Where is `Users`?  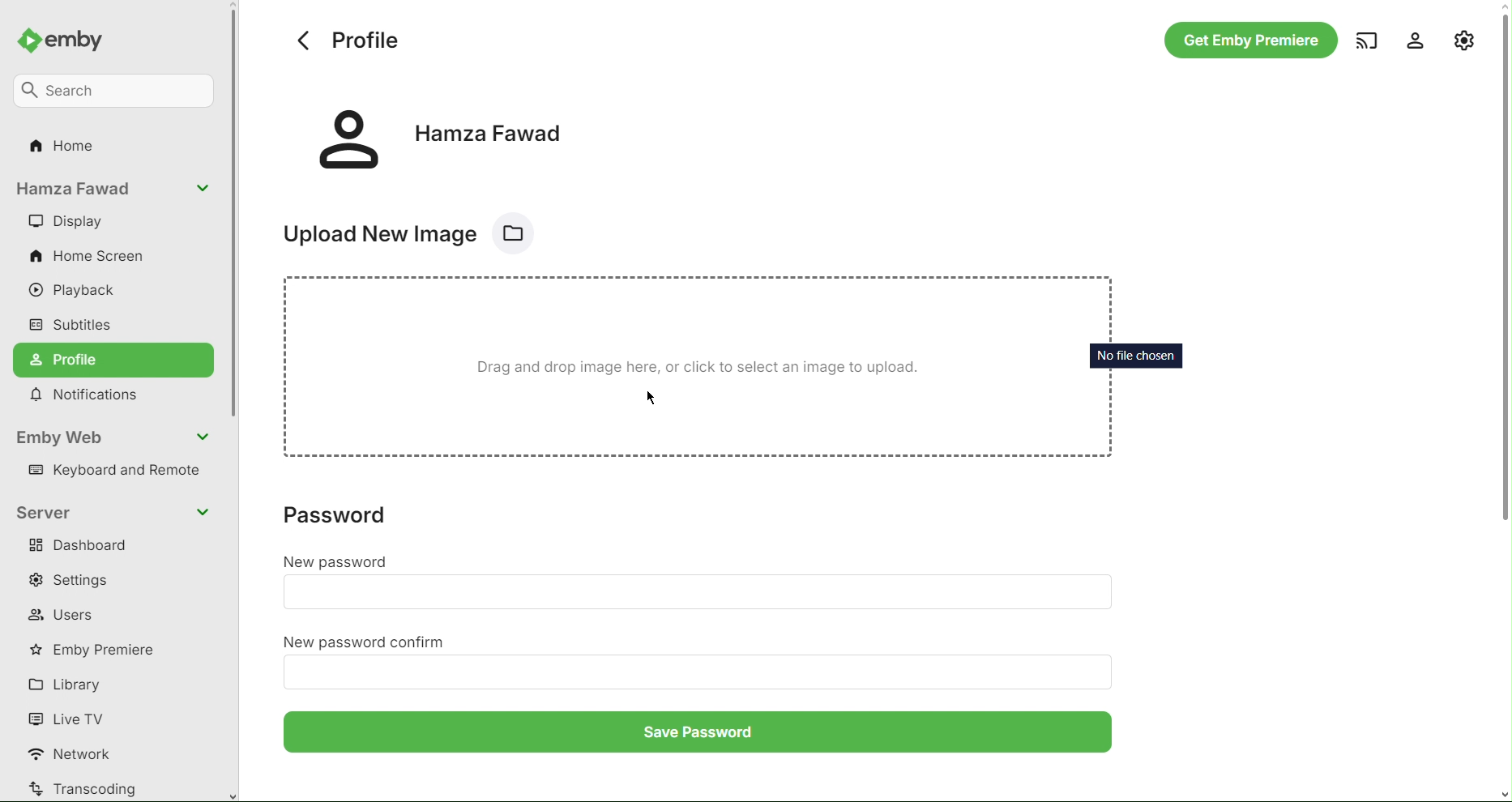
Users is located at coordinates (64, 615).